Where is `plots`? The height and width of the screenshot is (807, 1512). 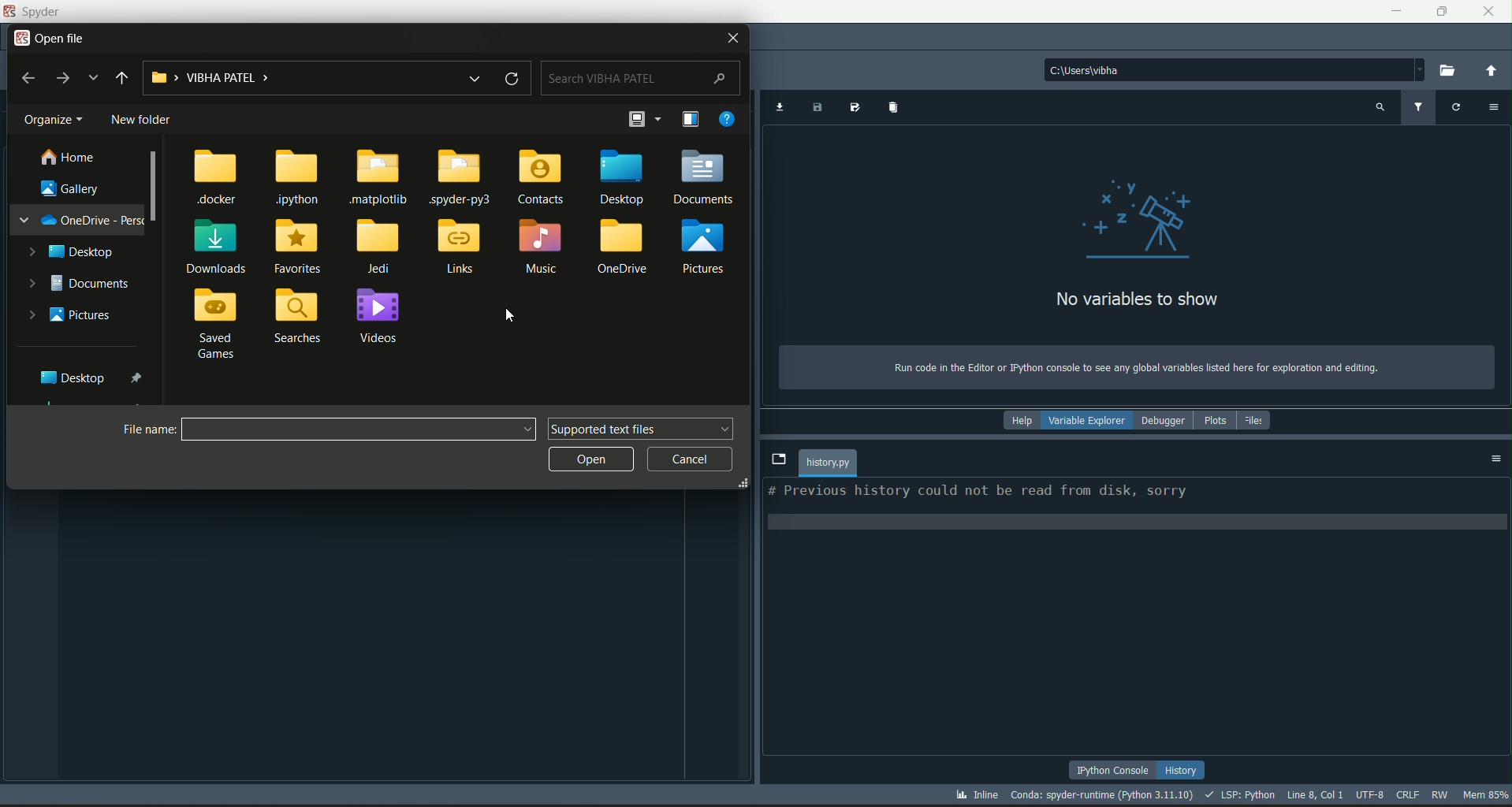 plots is located at coordinates (1216, 419).